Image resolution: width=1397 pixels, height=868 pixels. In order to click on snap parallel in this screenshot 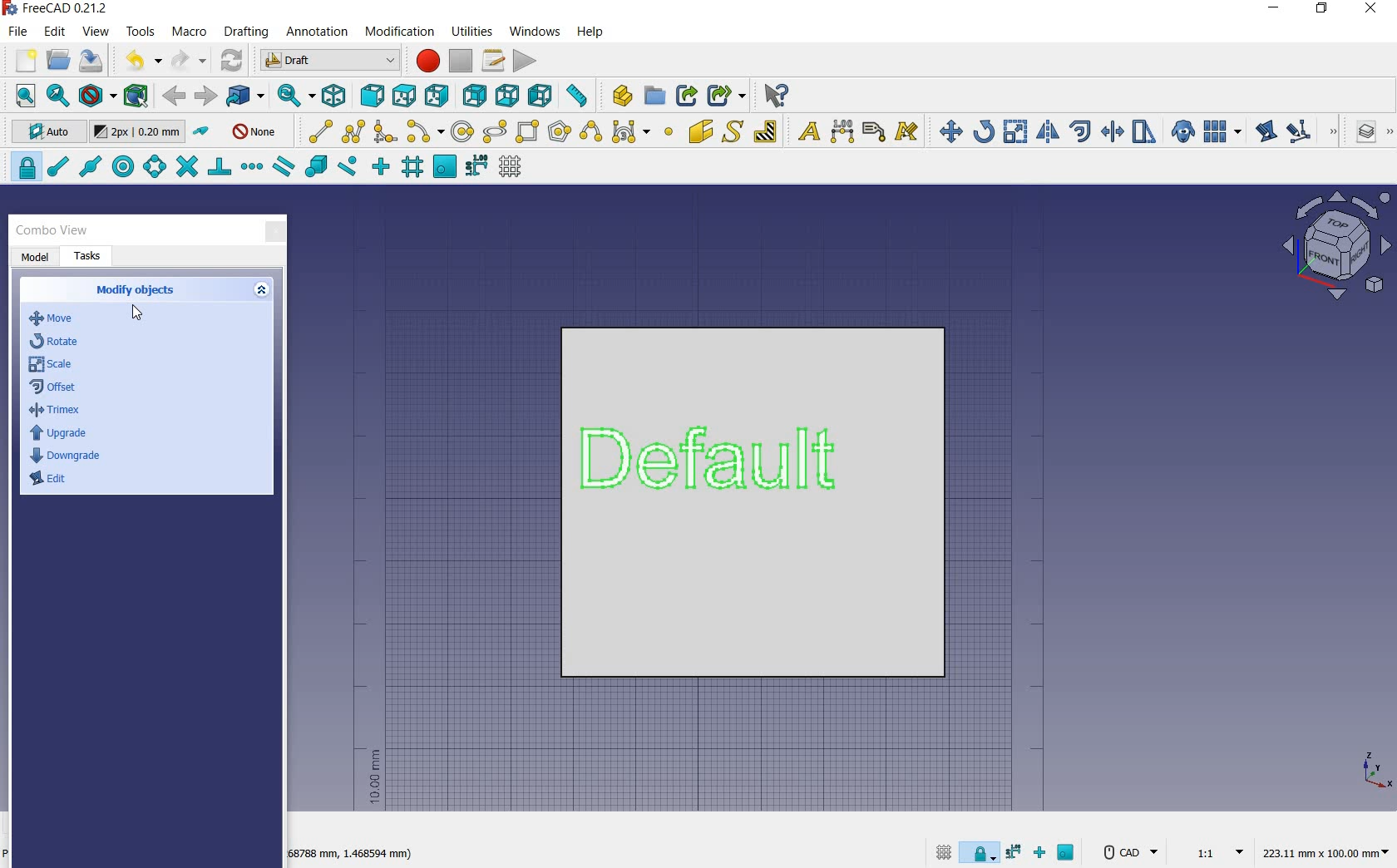, I will do `click(283, 167)`.